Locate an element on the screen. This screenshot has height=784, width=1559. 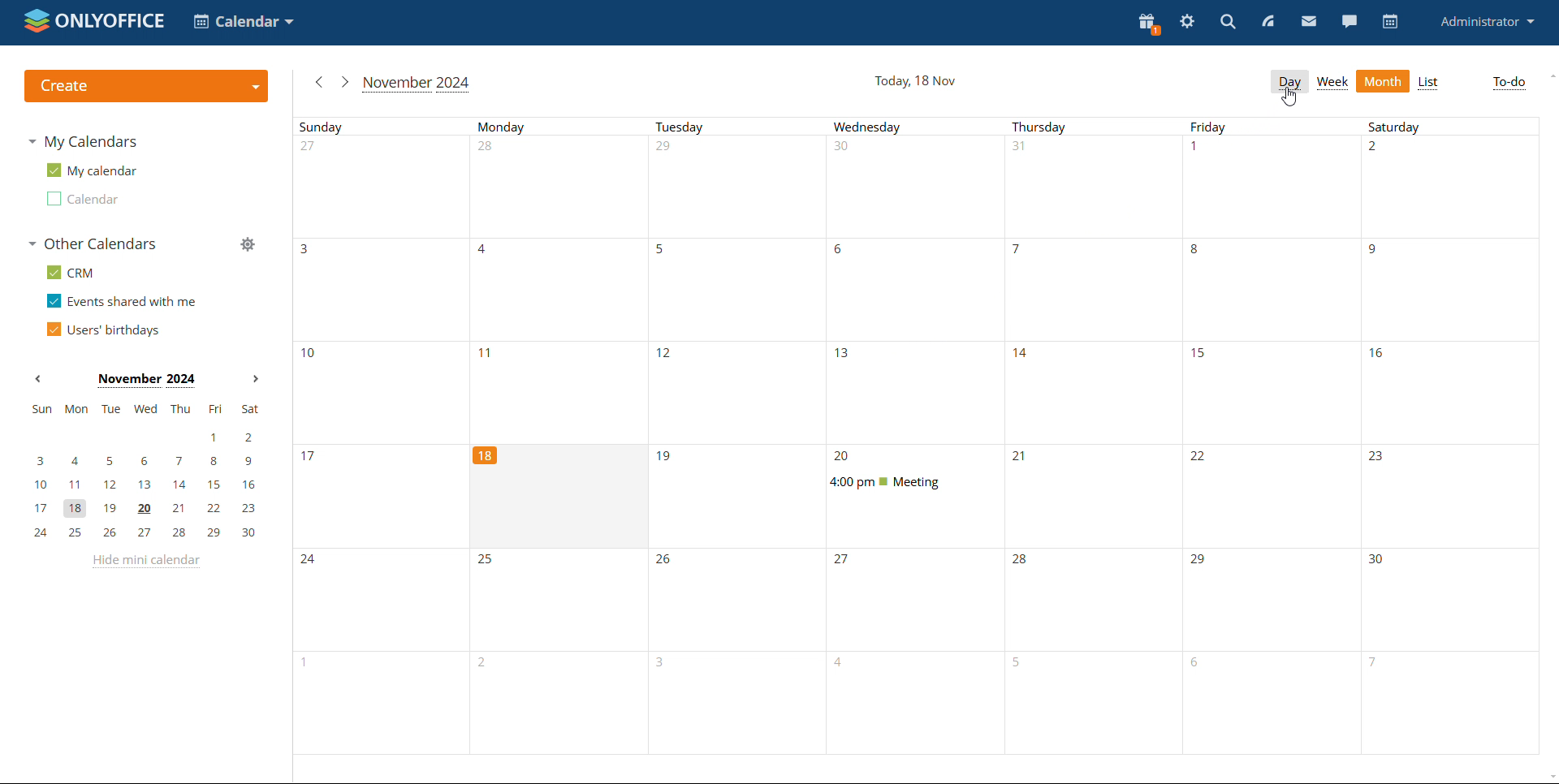
mini calendar is located at coordinates (145, 472).